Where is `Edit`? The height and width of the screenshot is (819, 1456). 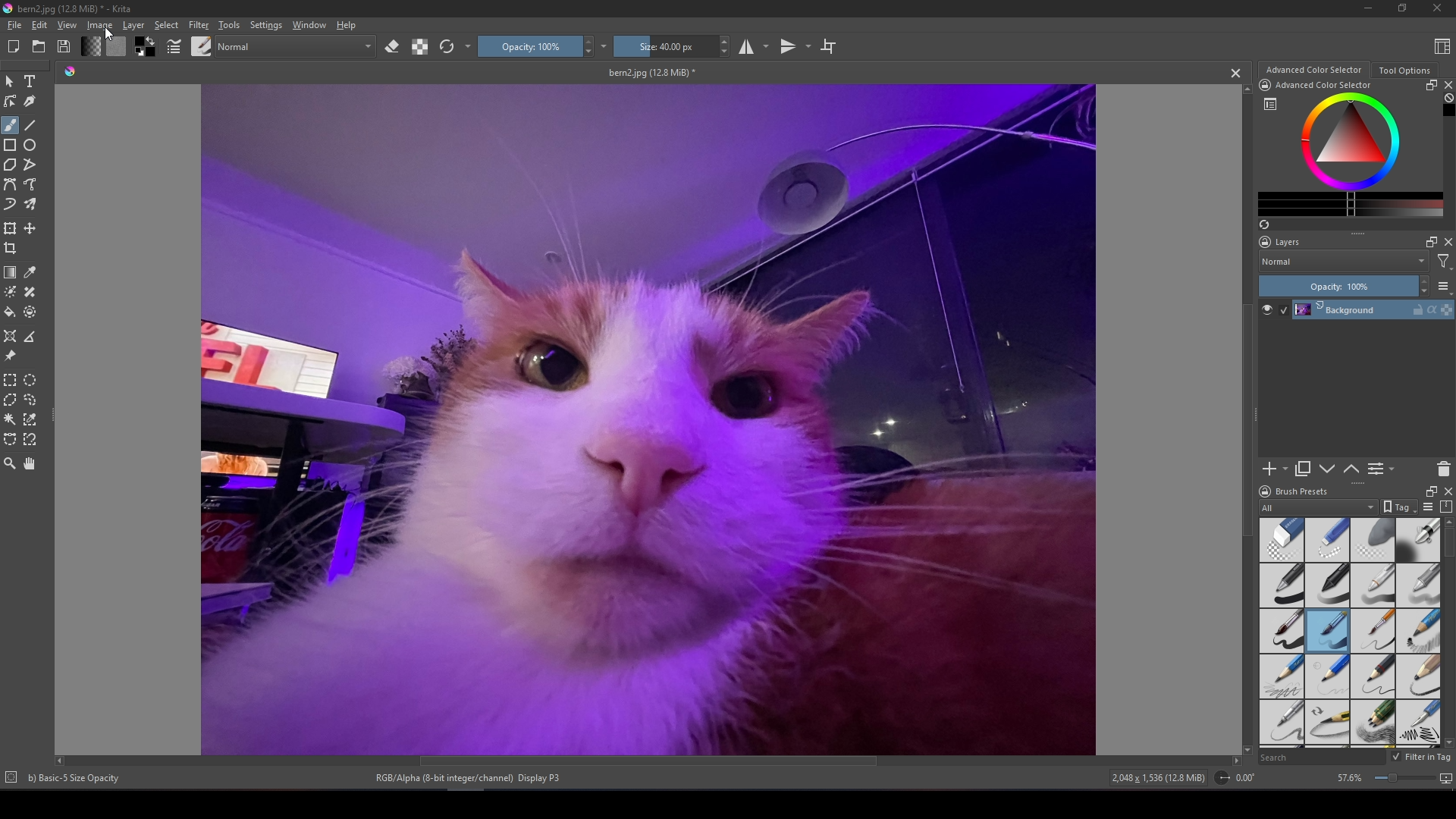 Edit is located at coordinates (39, 26).